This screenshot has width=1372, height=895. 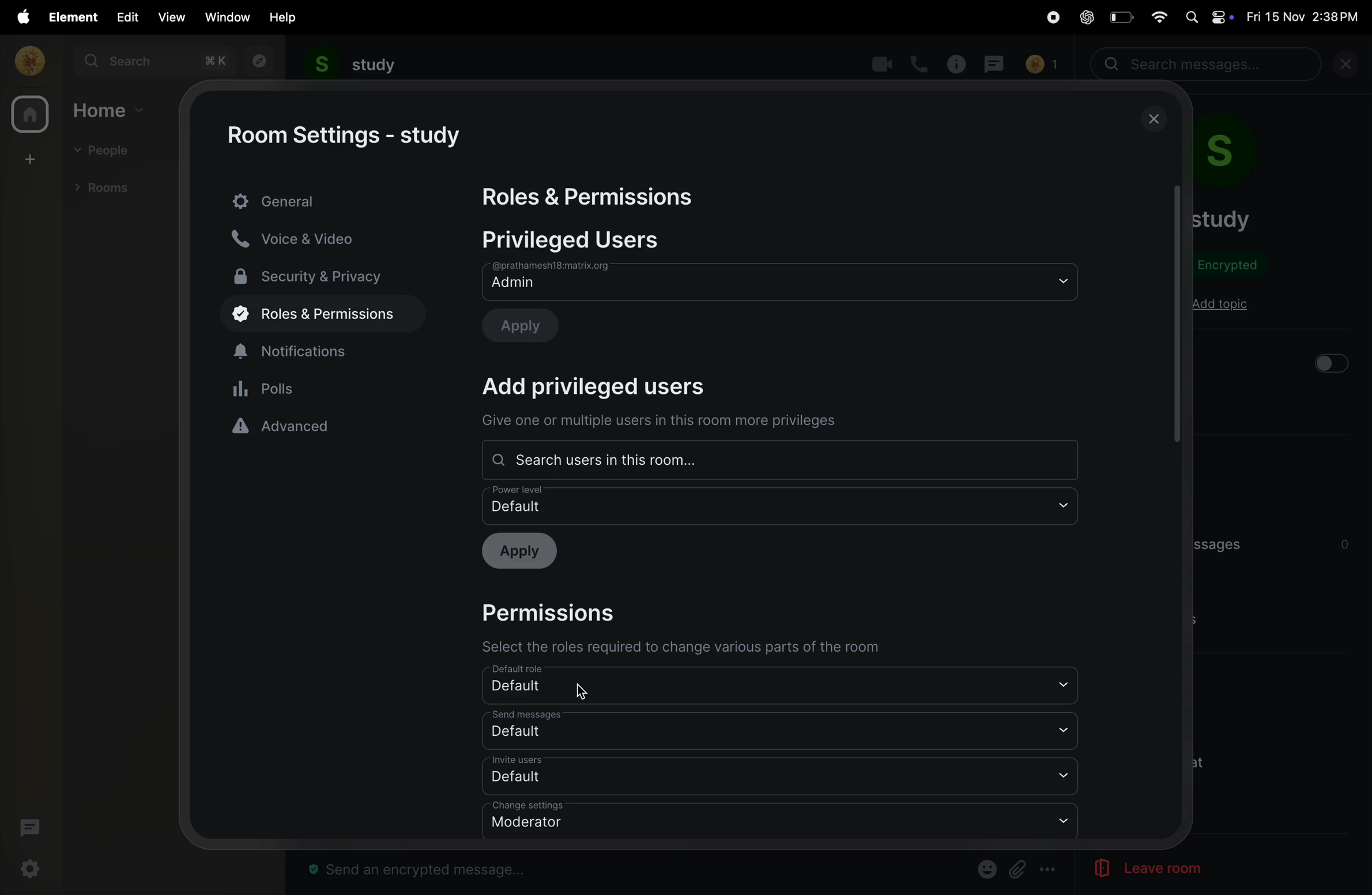 What do you see at coordinates (659, 422) in the screenshot?
I see `Give one or multiple users in this room more privileges` at bounding box center [659, 422].